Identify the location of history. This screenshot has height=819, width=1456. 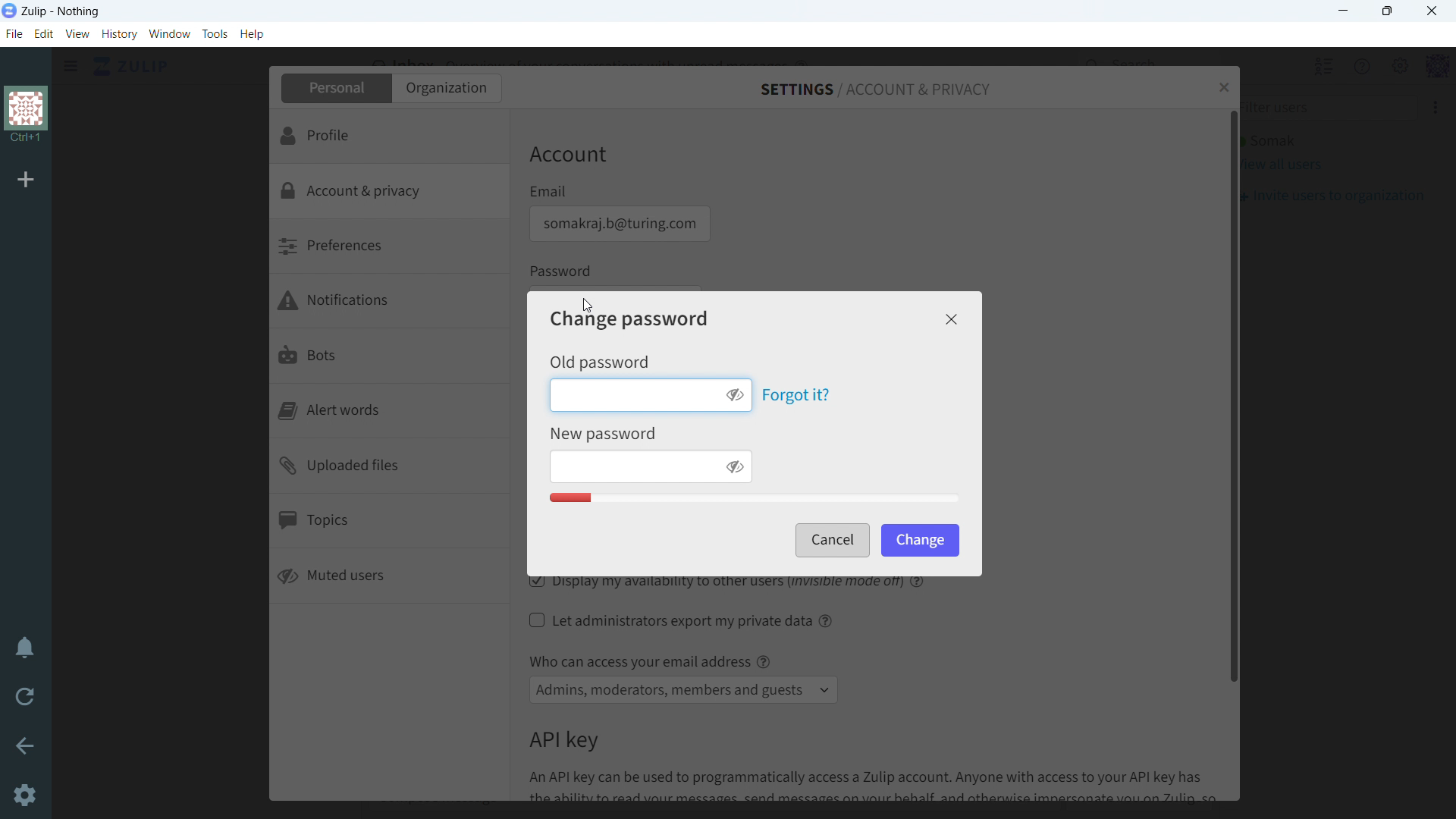
(120, 34).